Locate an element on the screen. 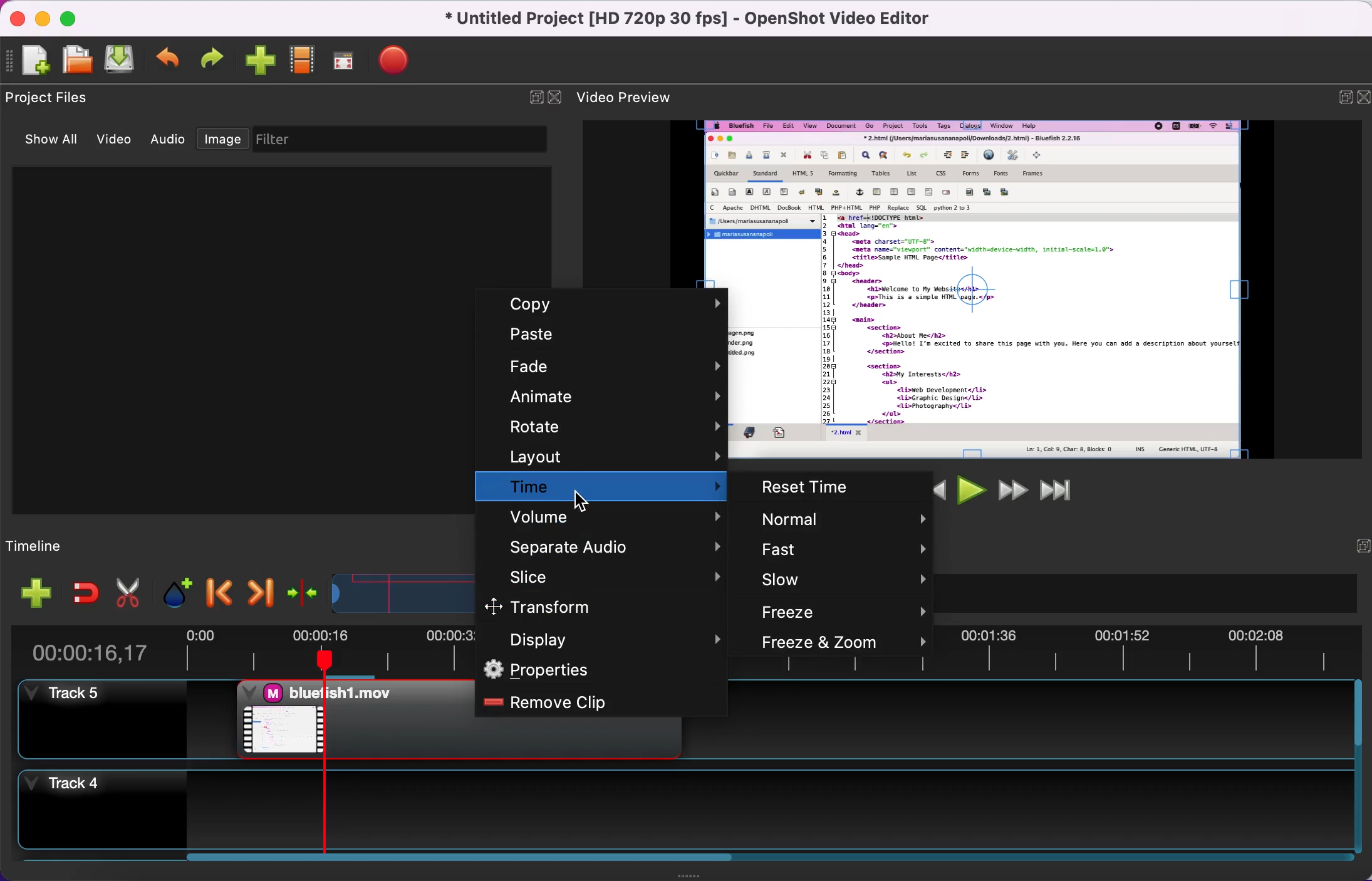 The image size is (1372, 881). image is located at coordinates (226, 140).